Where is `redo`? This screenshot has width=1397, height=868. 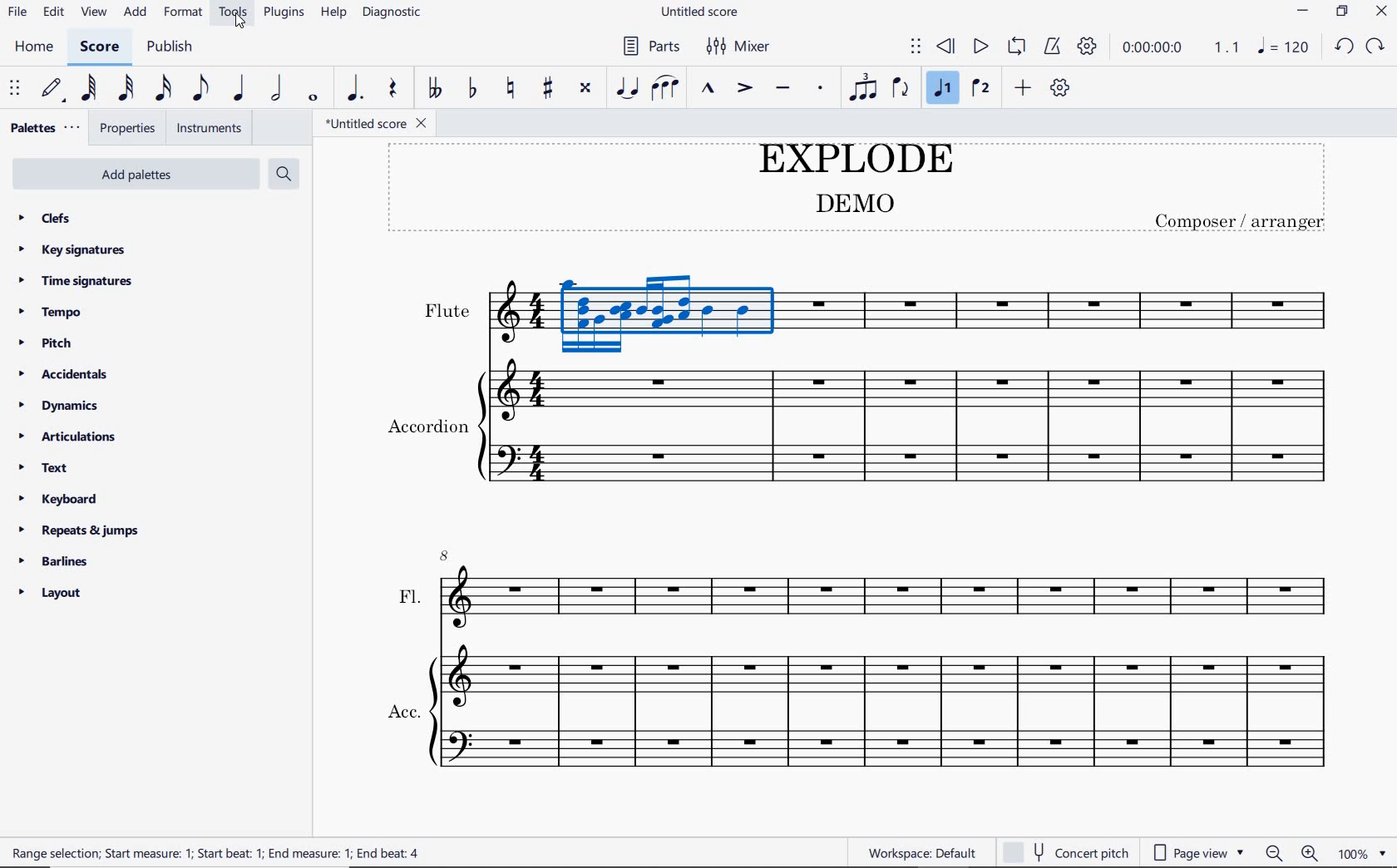
redo is located at coordinates (1341, 49).